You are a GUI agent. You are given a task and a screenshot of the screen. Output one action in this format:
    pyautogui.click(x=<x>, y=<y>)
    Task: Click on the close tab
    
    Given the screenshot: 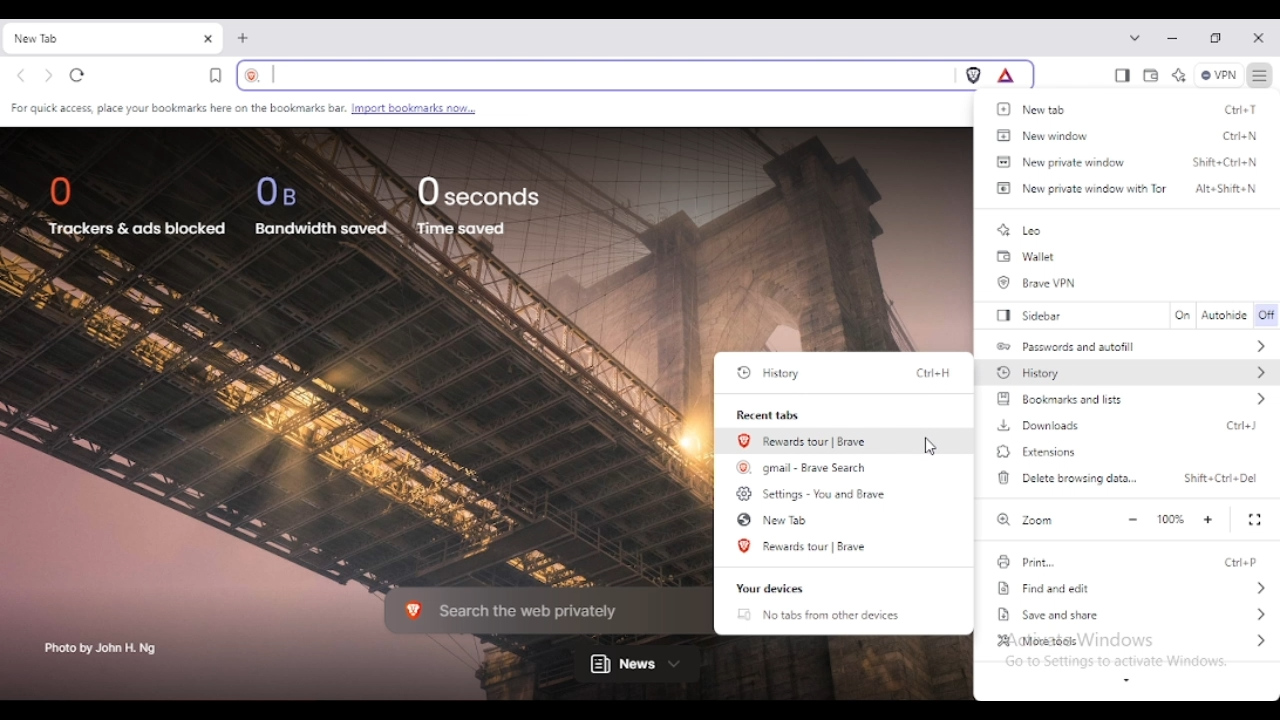 What is the action you would take?
    pyautogui.click(x=208, y=39)
    